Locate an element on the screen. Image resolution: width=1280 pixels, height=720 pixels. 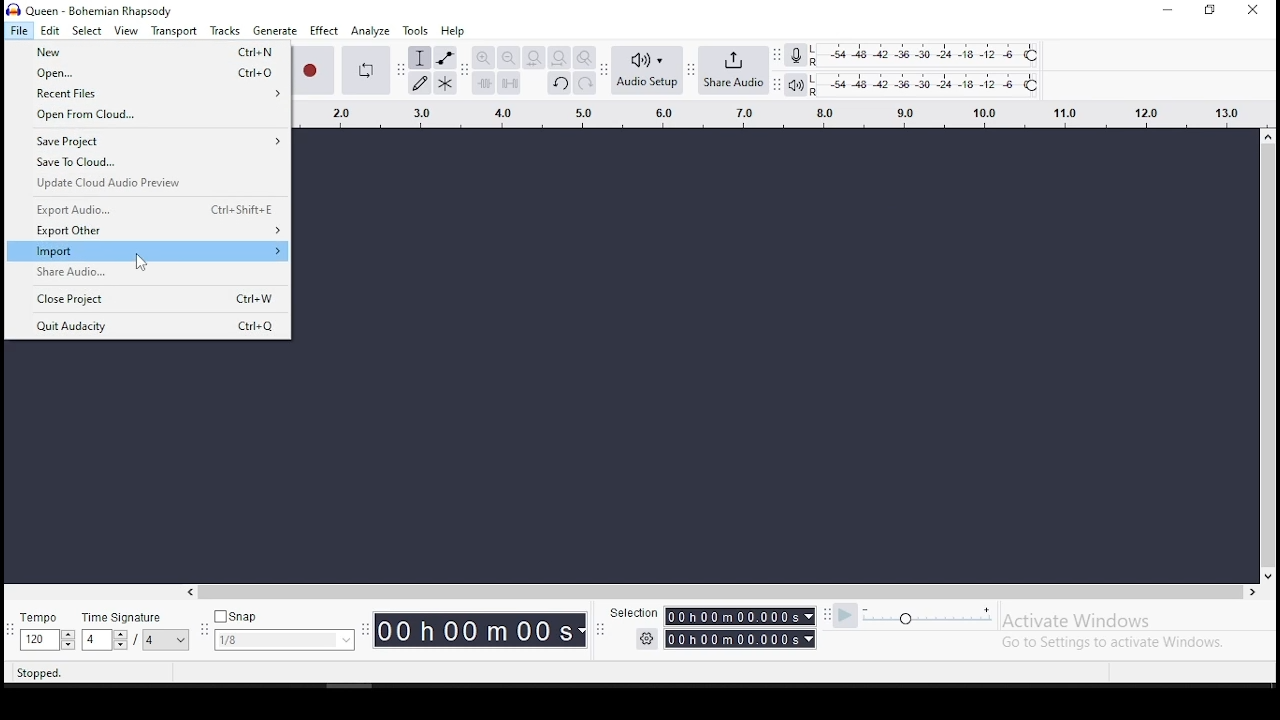
settings is located at coordinates (646, 639).